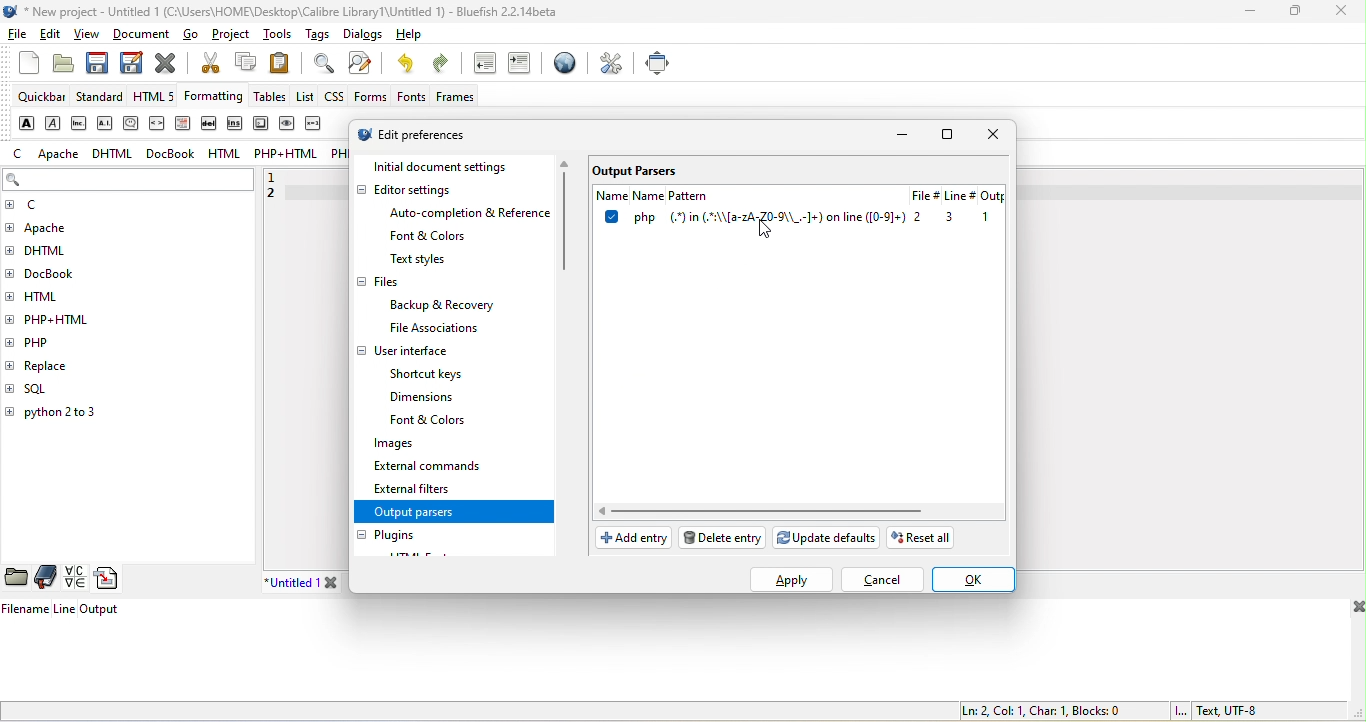 The image size is (1366, 722). What do you see at coordinates (24, 122) in the screenshot?
I see `strong` at bounding box center [24, 122].